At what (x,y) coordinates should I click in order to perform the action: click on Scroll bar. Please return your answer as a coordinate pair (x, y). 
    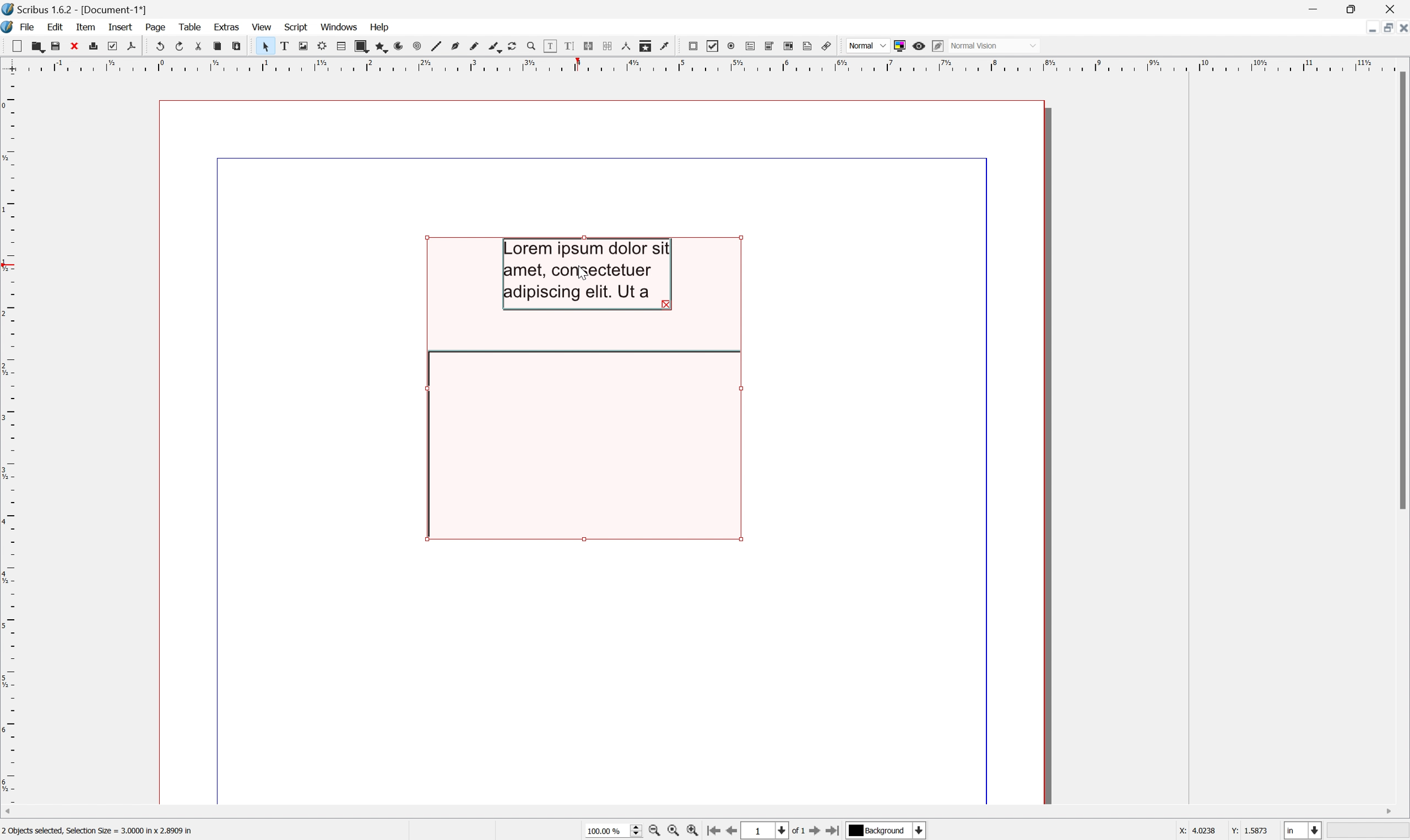
    Looking at the image, I should click on (1401, 293).